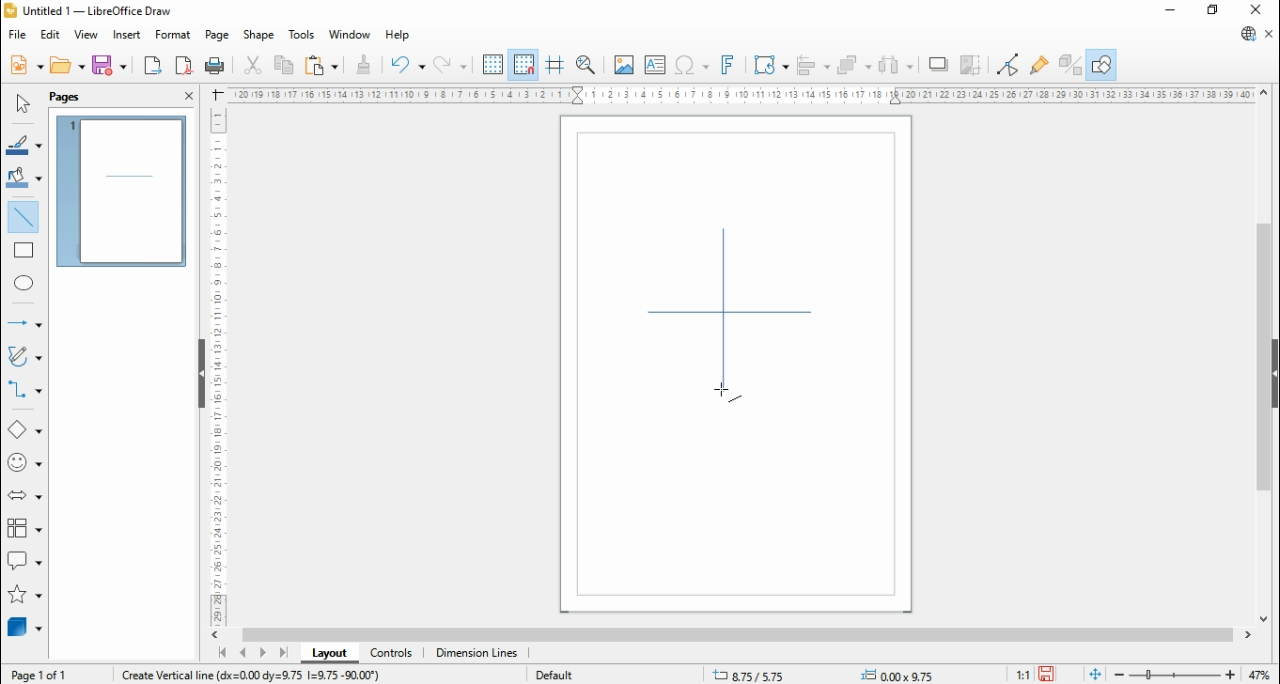 The height and width of the screenshot is (684, 1280). What do you see at coordinates (723, 312) in the screenshot?
I see `new line` at bounding box center [723, 312].